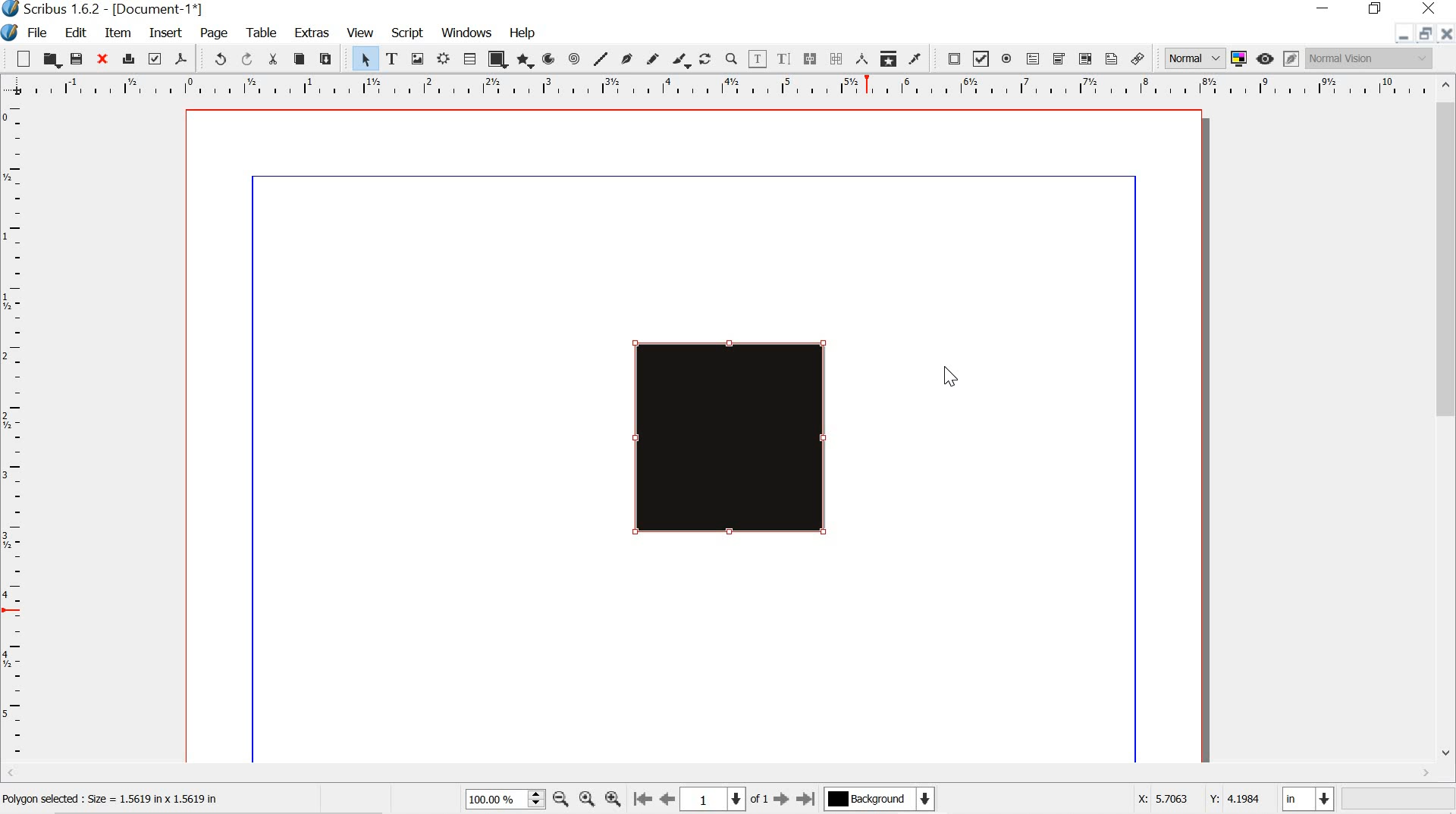  Describe the element at coordinates (218, 33) in the screenshot. I see `page` at that location.